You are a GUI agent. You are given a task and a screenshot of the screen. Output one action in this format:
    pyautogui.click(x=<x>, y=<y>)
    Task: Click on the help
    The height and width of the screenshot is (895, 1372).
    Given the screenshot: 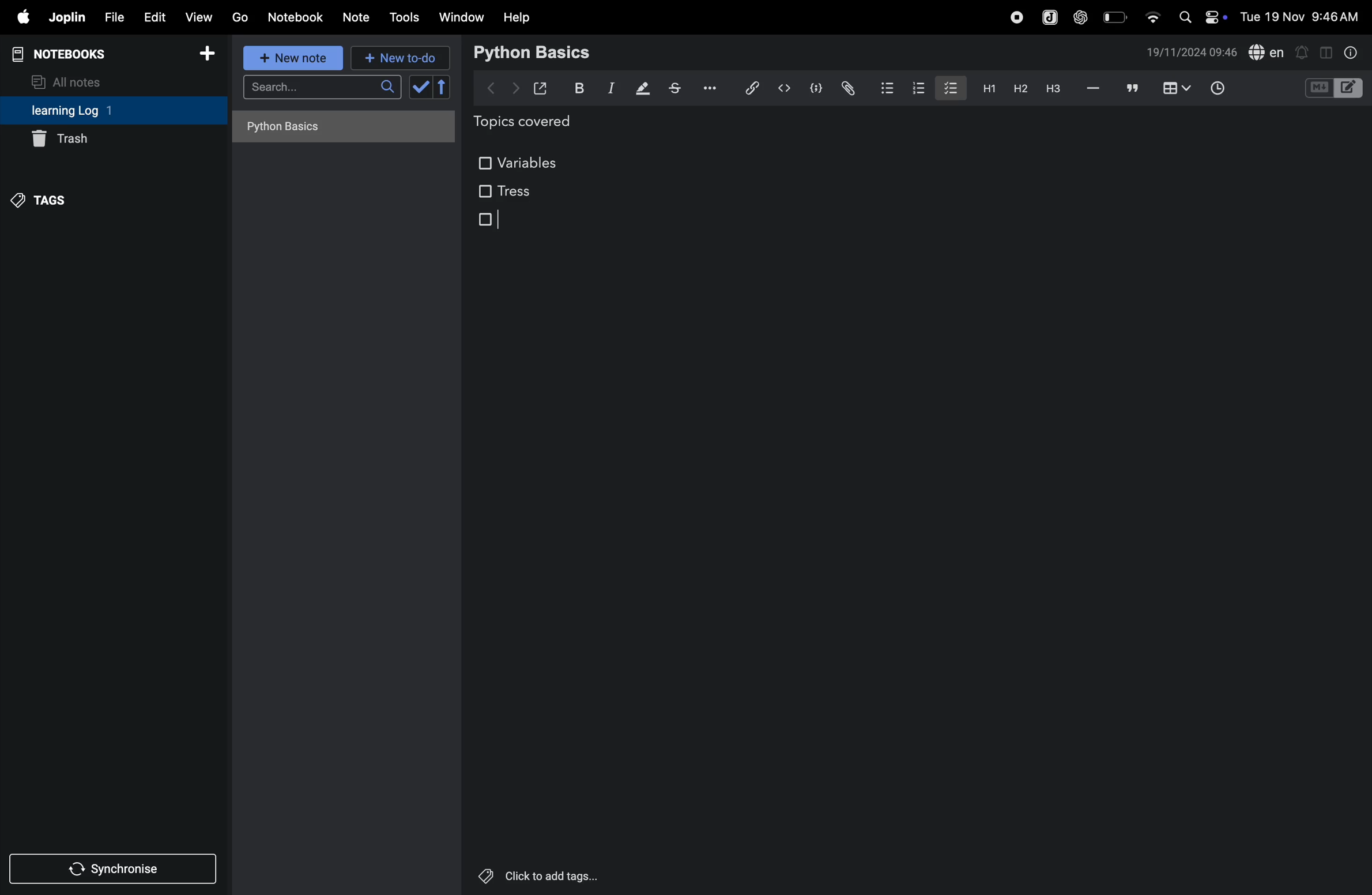 What is the action you would take?
    pyautogui.click(x=517, y=17)
    